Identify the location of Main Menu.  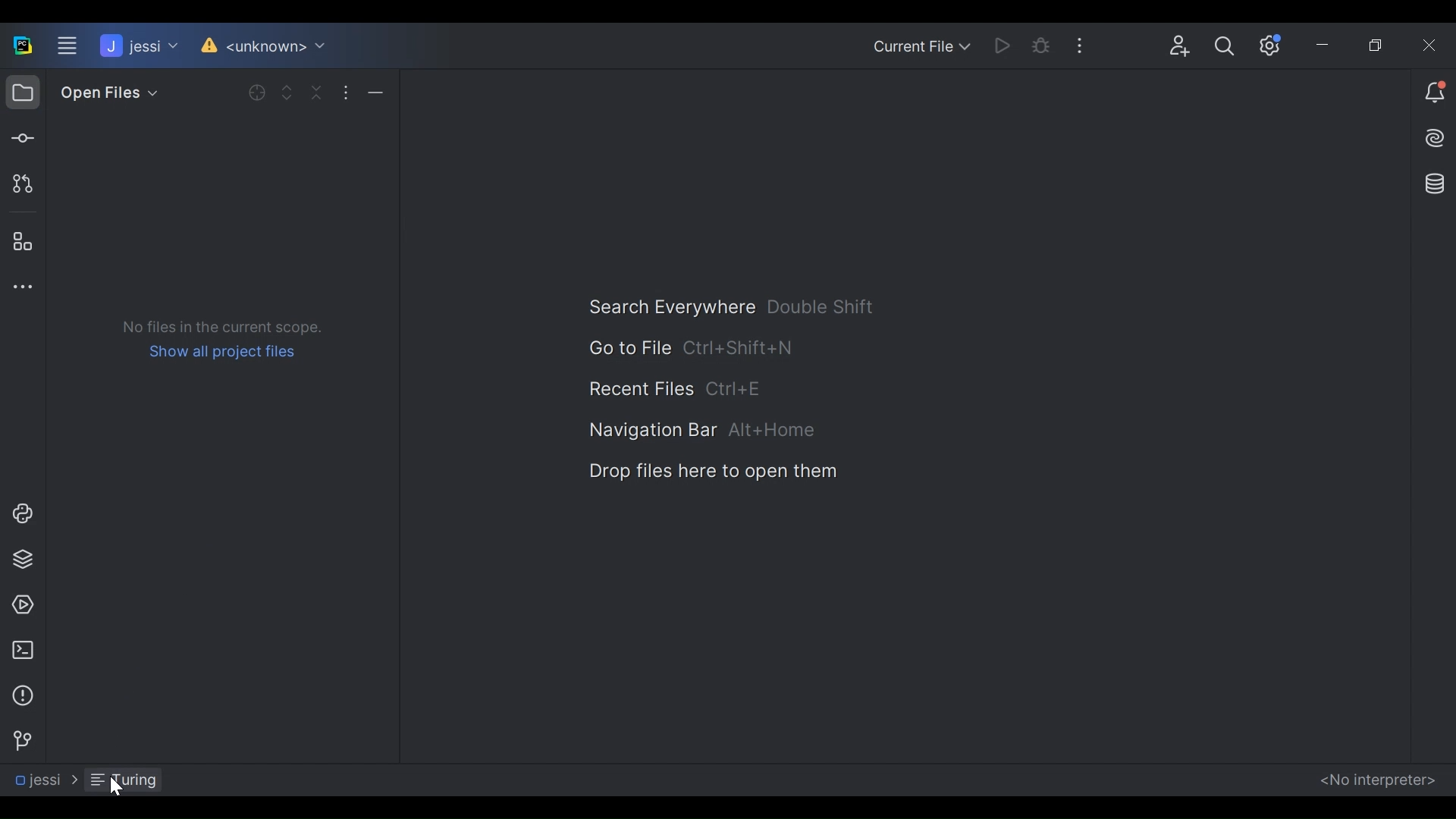
(67, 46).